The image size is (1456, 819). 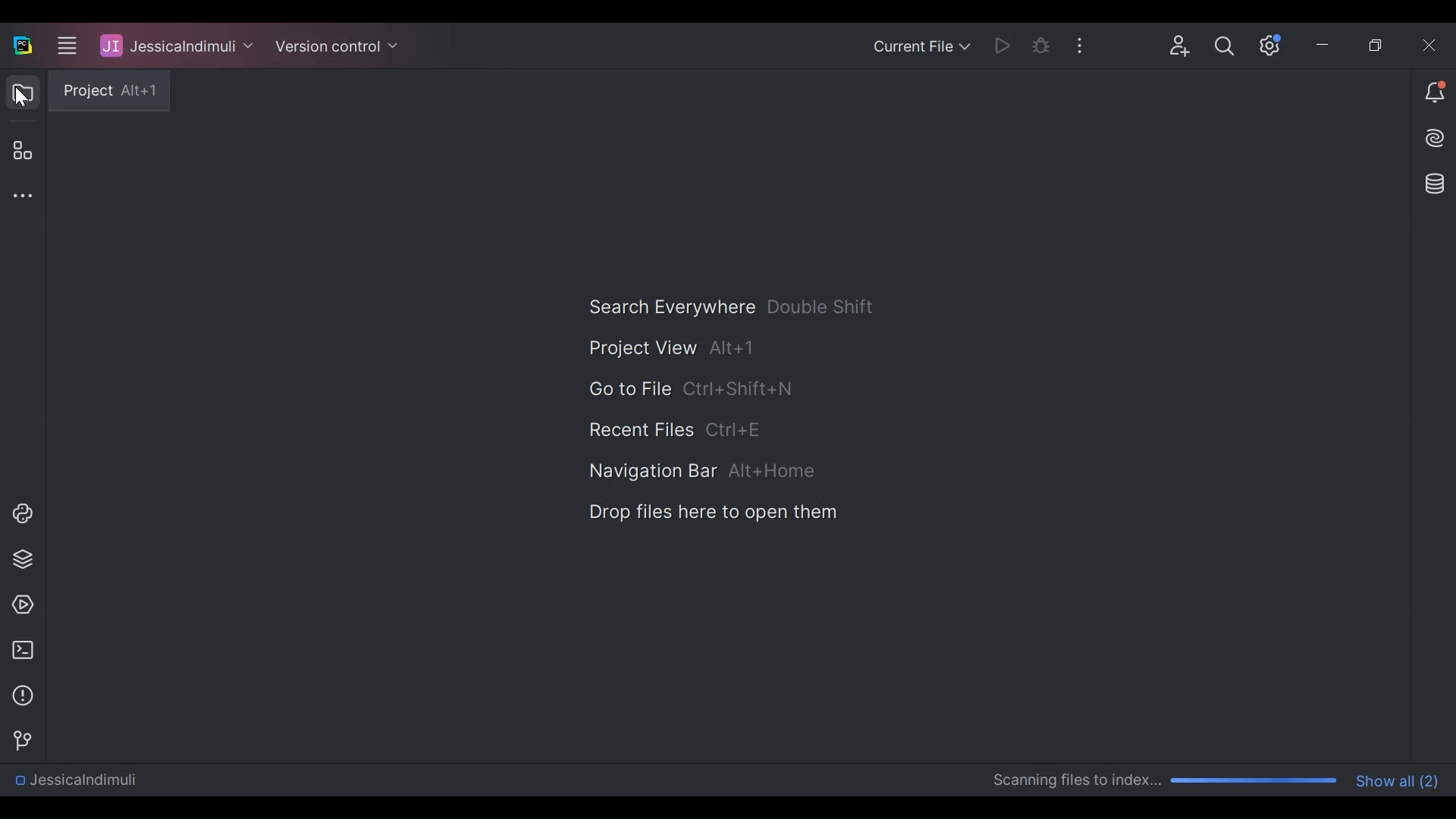 I want to click on Notifications, so click(x=1434, y=96).